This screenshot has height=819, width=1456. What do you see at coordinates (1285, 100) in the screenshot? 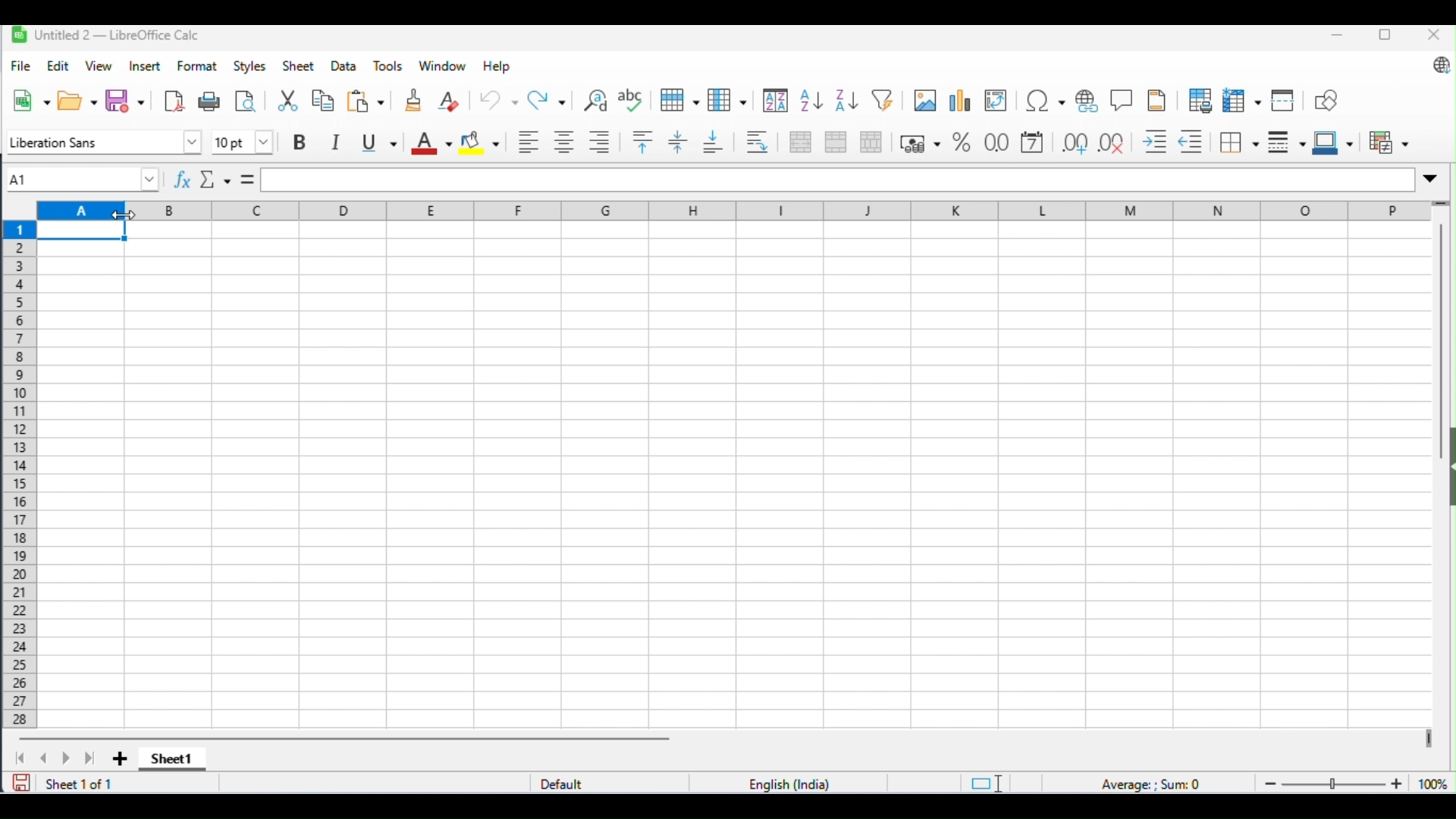
I see `split window` at bounding box center [1285, 100].